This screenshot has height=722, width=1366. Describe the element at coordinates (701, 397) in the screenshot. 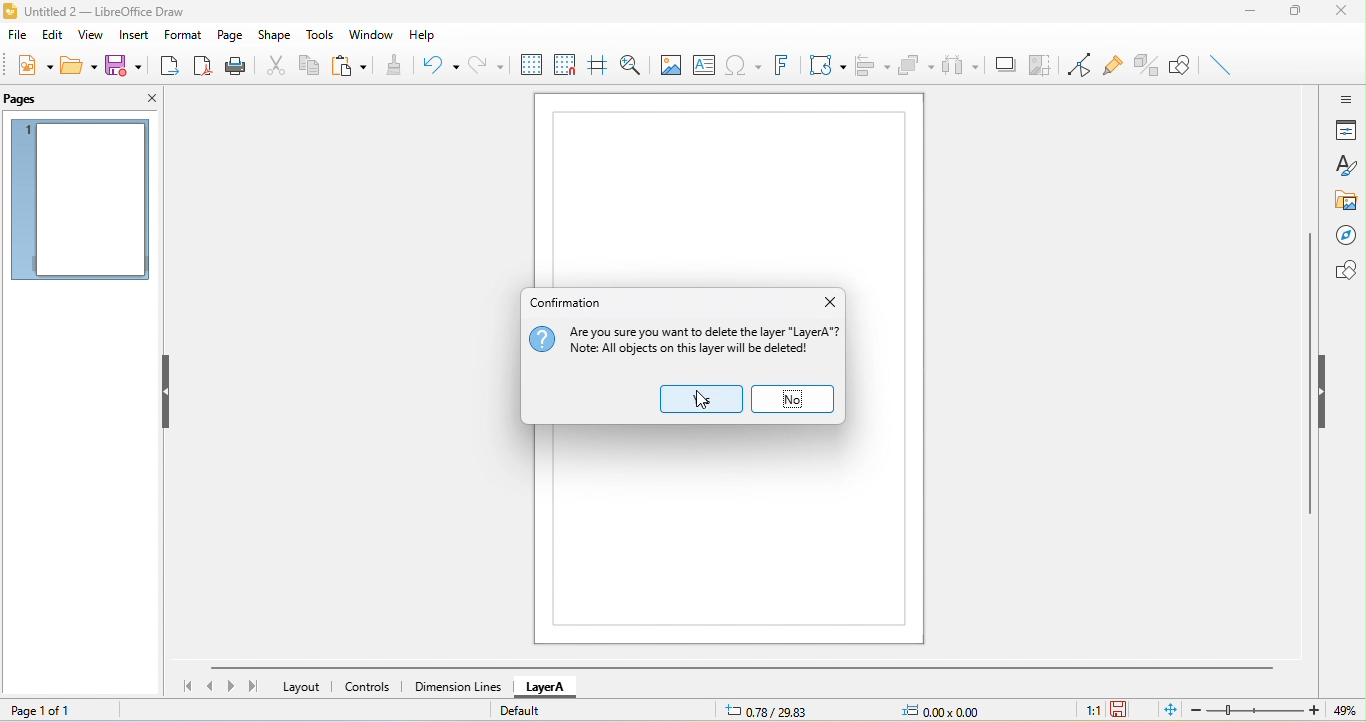

I see `yes` at that location.